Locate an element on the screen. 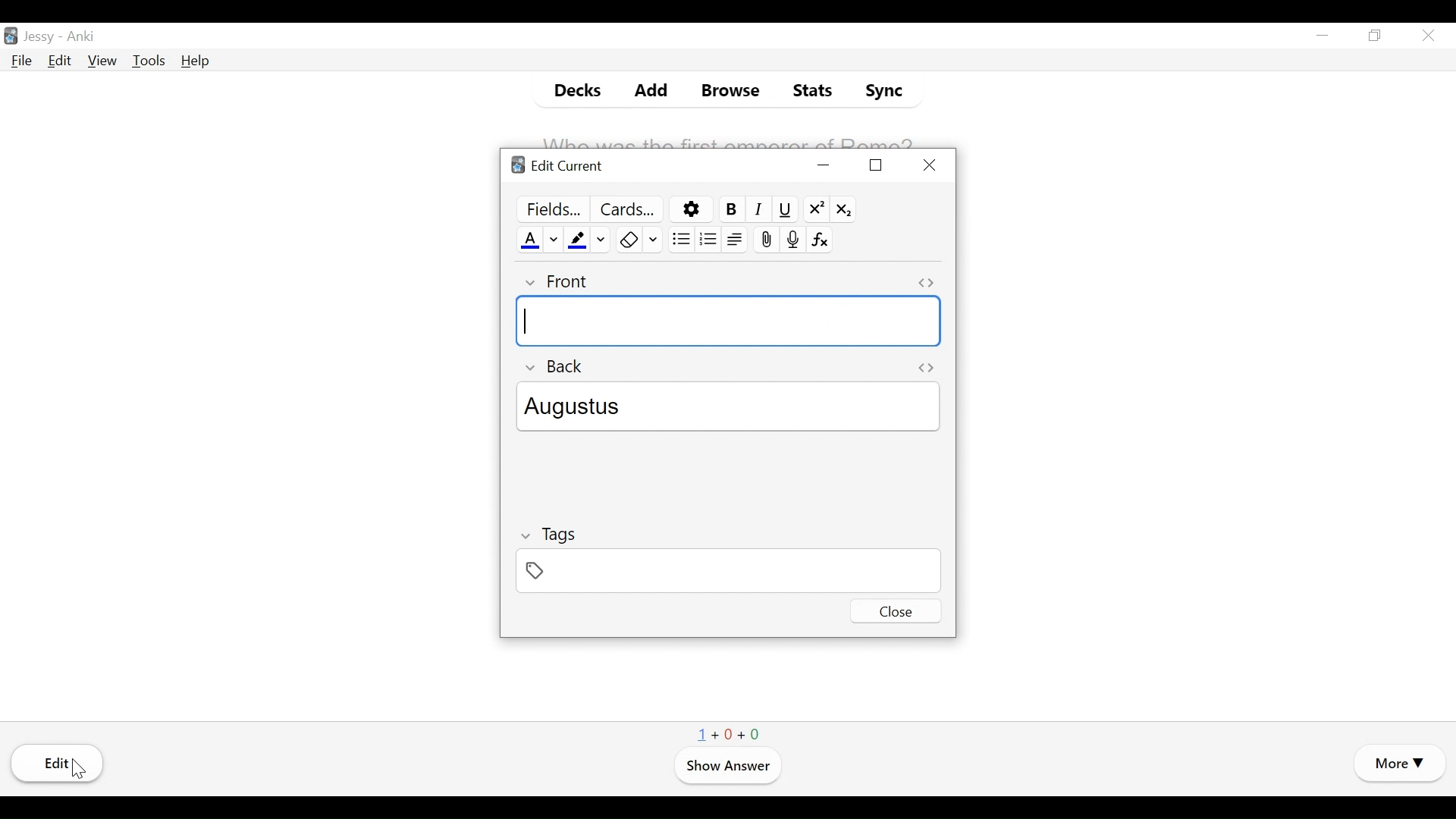 The image size is (1456, 819). Tags Field is located at coordinates (727, 570).